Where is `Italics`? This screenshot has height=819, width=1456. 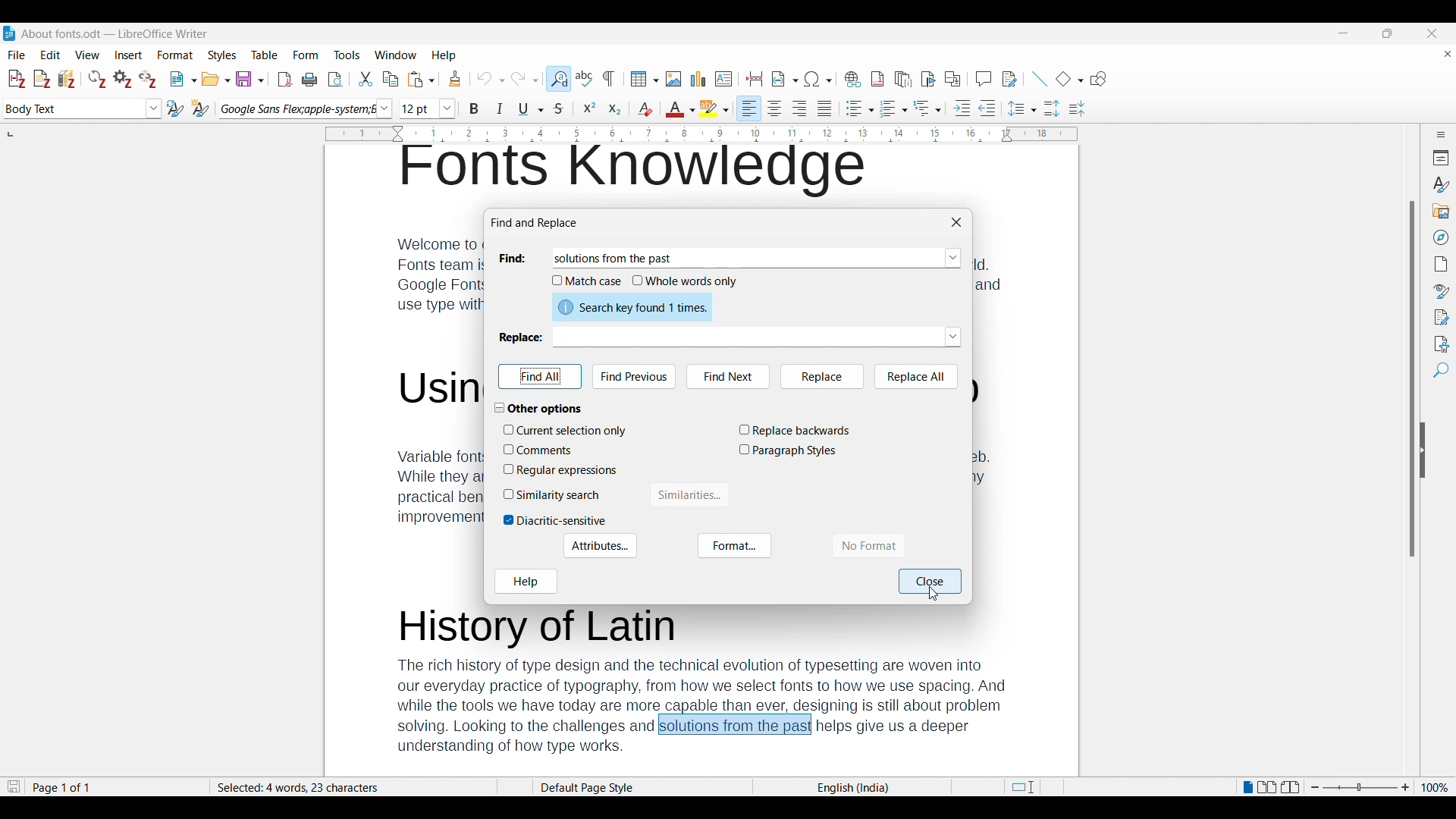 Italics is located at coordinates (500, 108).